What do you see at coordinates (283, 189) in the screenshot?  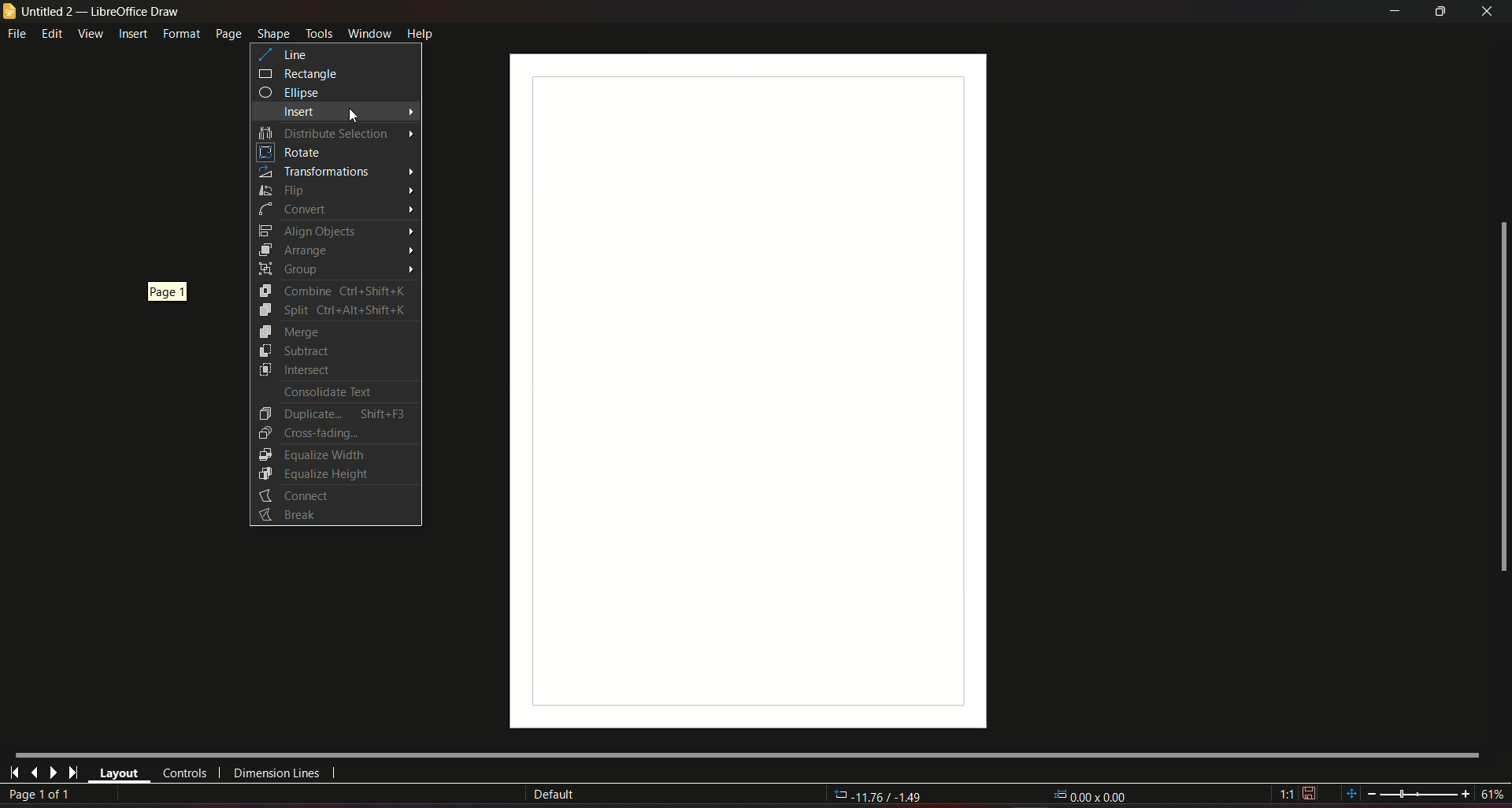 I see `Flip` at bounding box center [283, 189].